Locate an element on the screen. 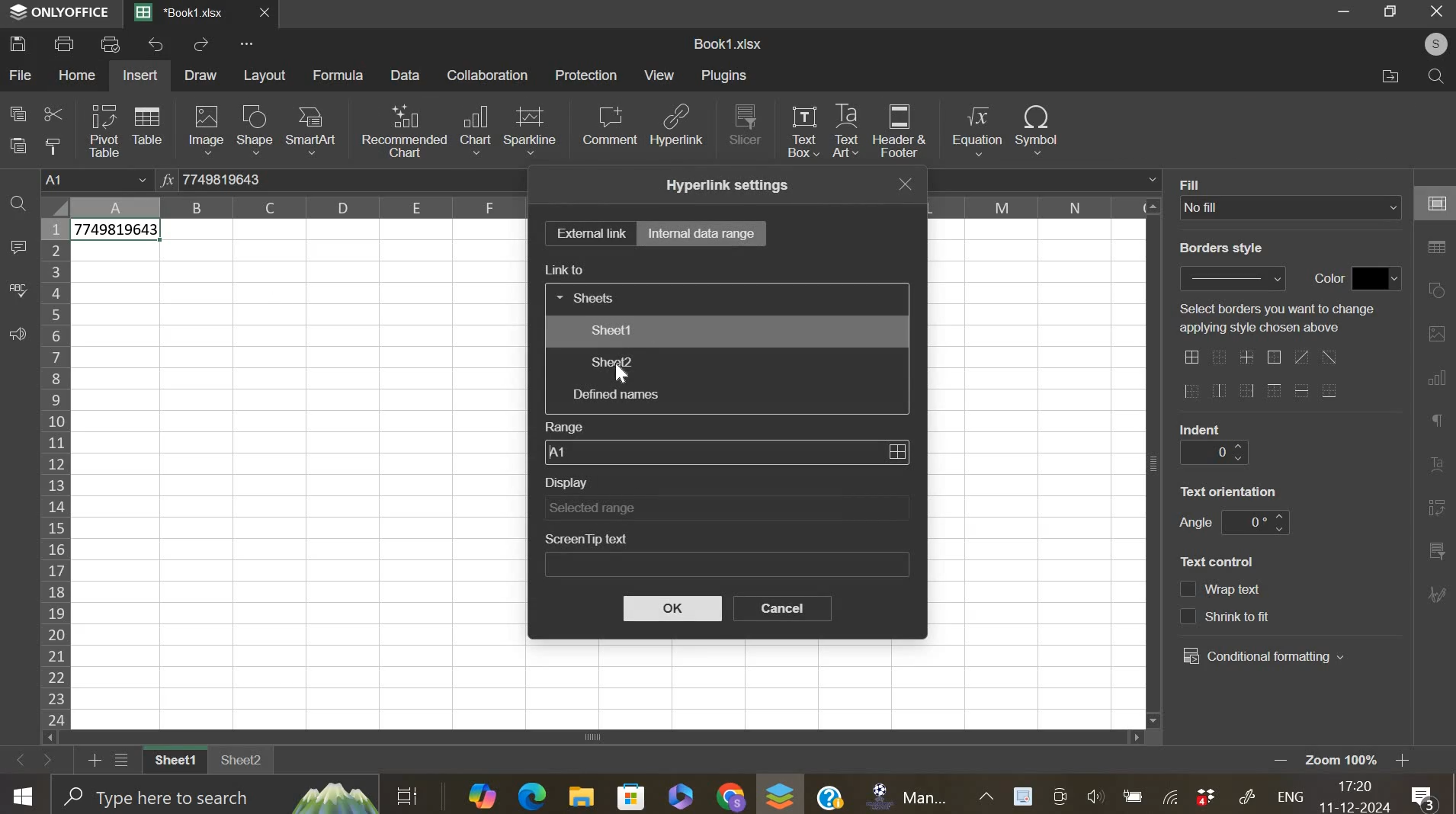 This screenshot has height=814, width=1456. copy style is located at coordinates (53, 146).